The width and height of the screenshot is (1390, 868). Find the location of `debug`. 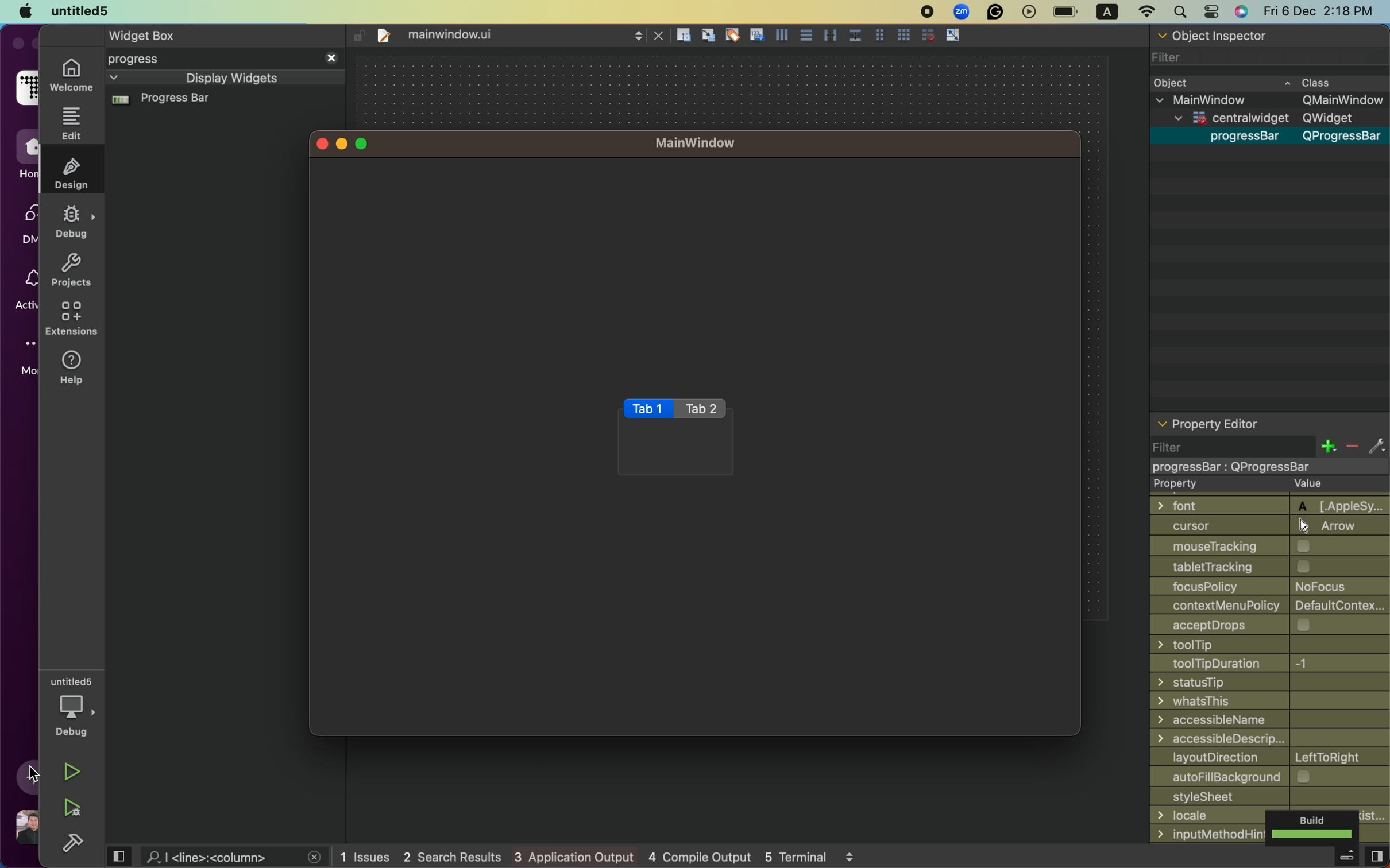

debug is located at coordinates (76, 222).